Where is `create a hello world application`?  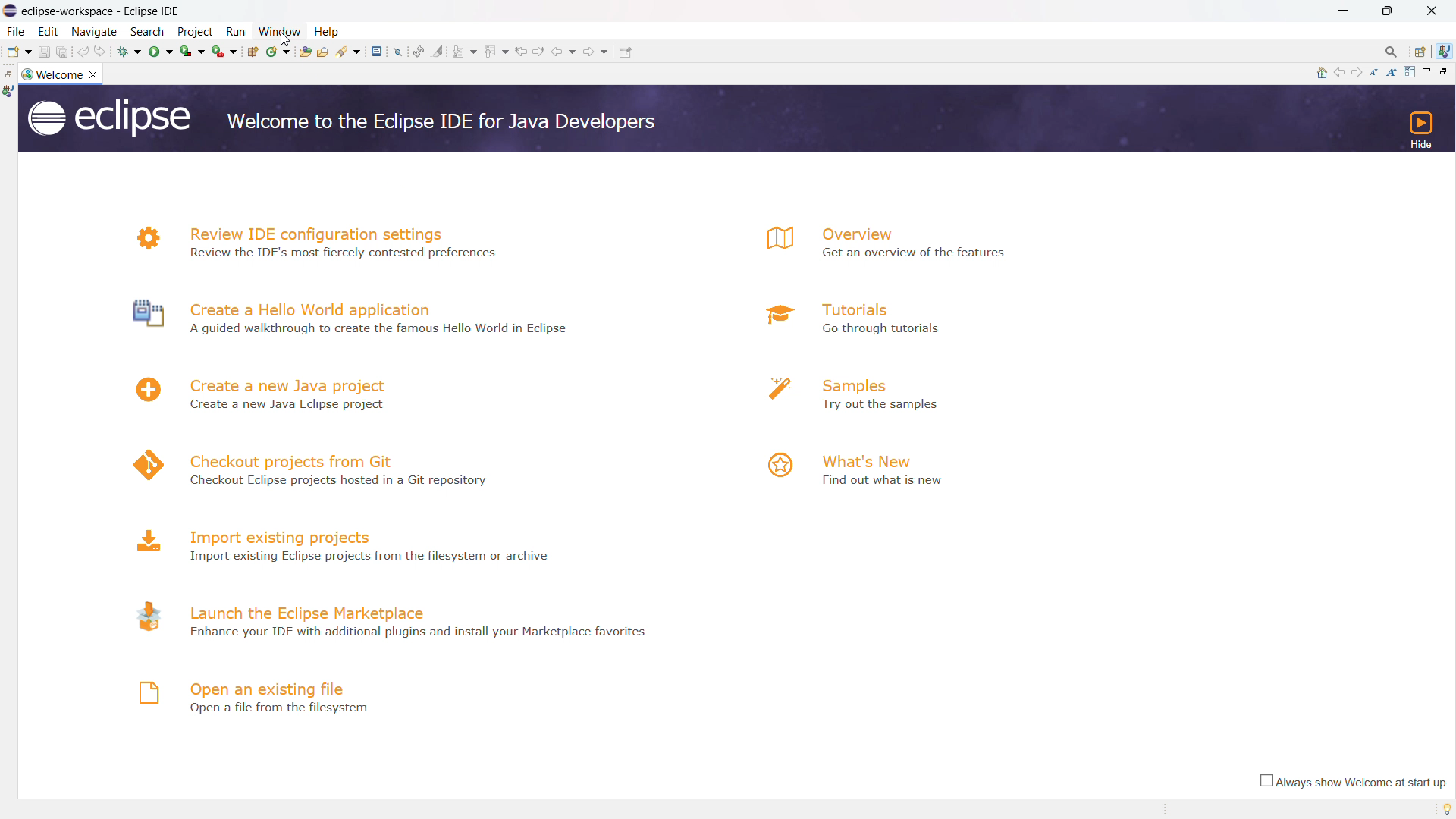
create a hello world application is located at coordinates (314, 309).